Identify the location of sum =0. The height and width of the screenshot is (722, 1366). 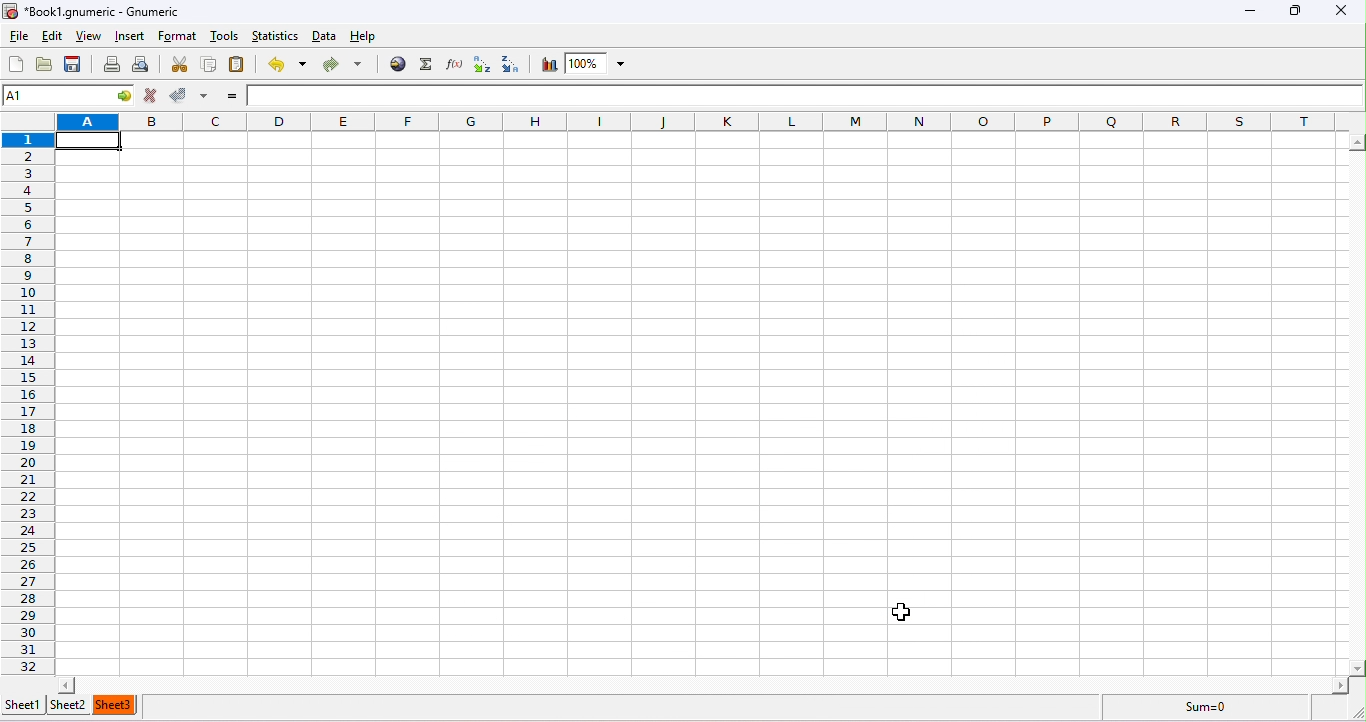
(1221, 710).